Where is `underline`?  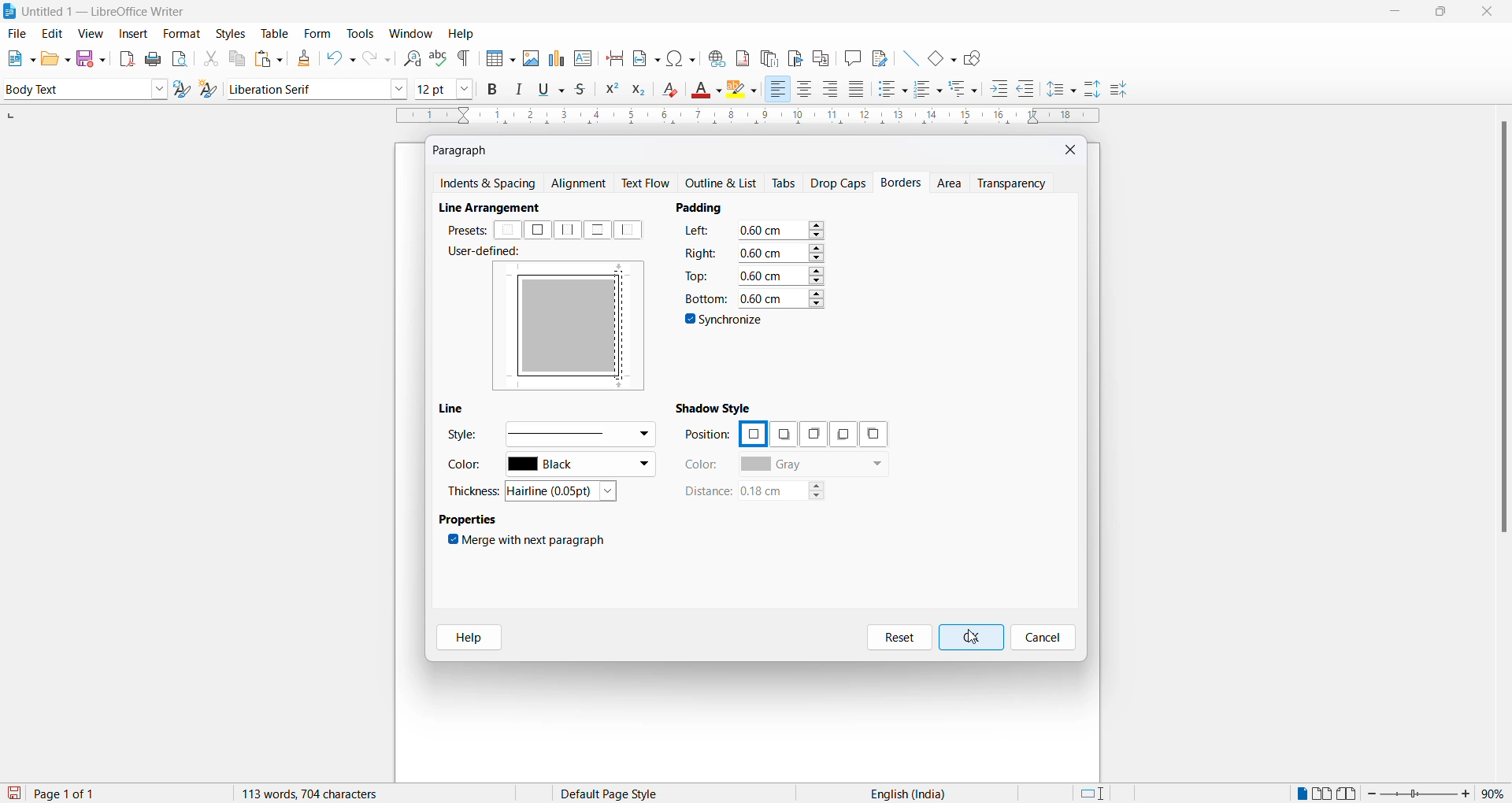
underline is located at coordinates (554, 89).